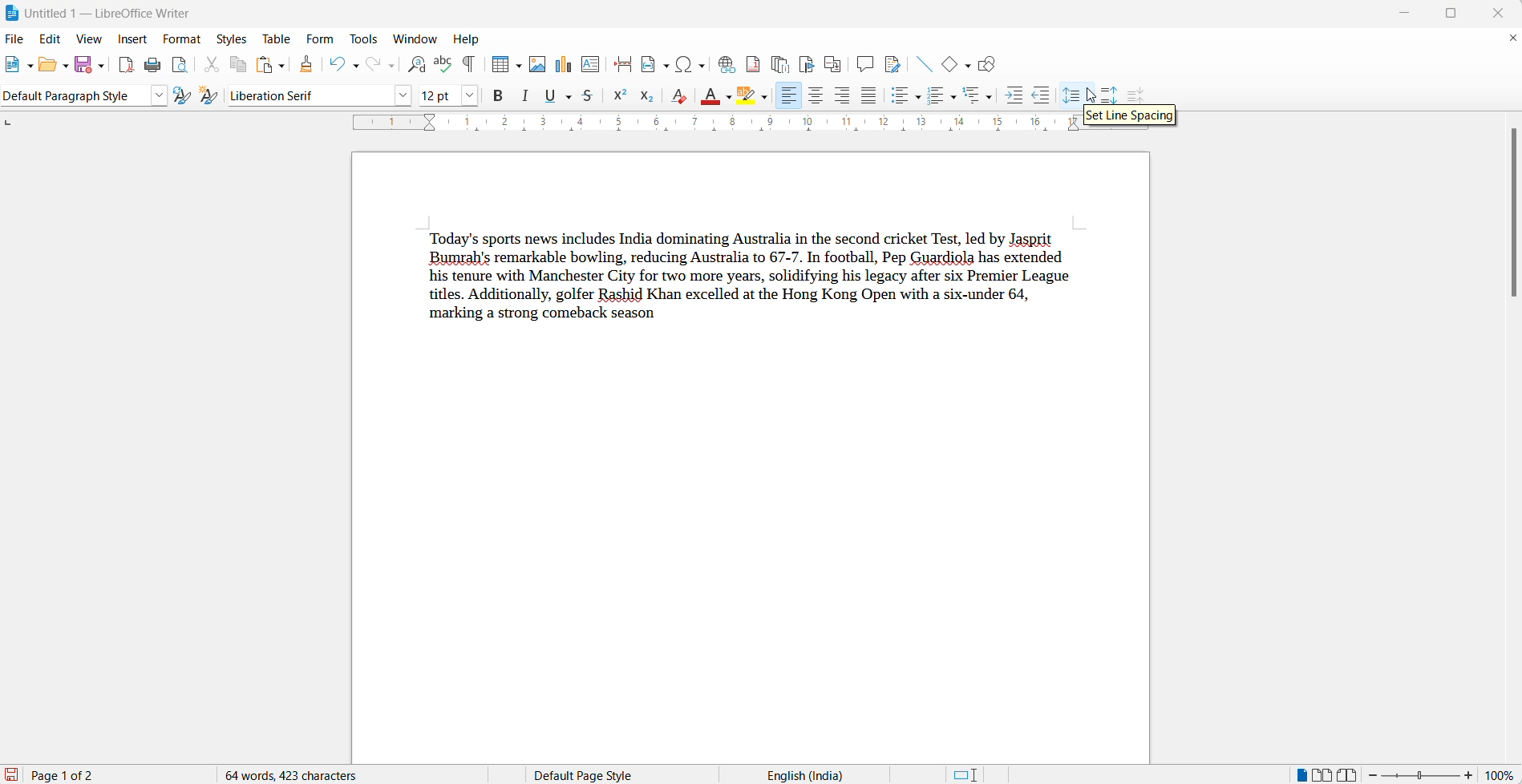  Describe the element at coordinates (78, 775) in the screenshot. I see `current page` at that location.